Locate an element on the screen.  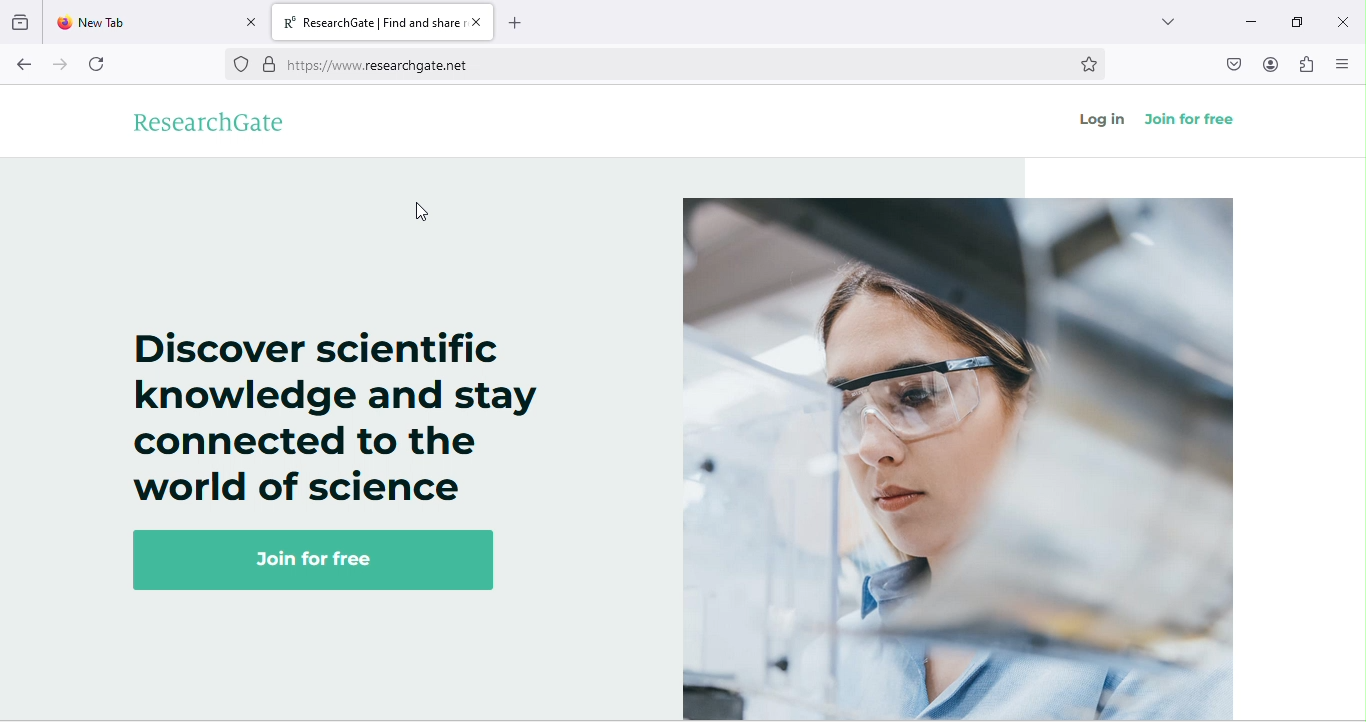
join for free is located at coordinates (1191, 117).